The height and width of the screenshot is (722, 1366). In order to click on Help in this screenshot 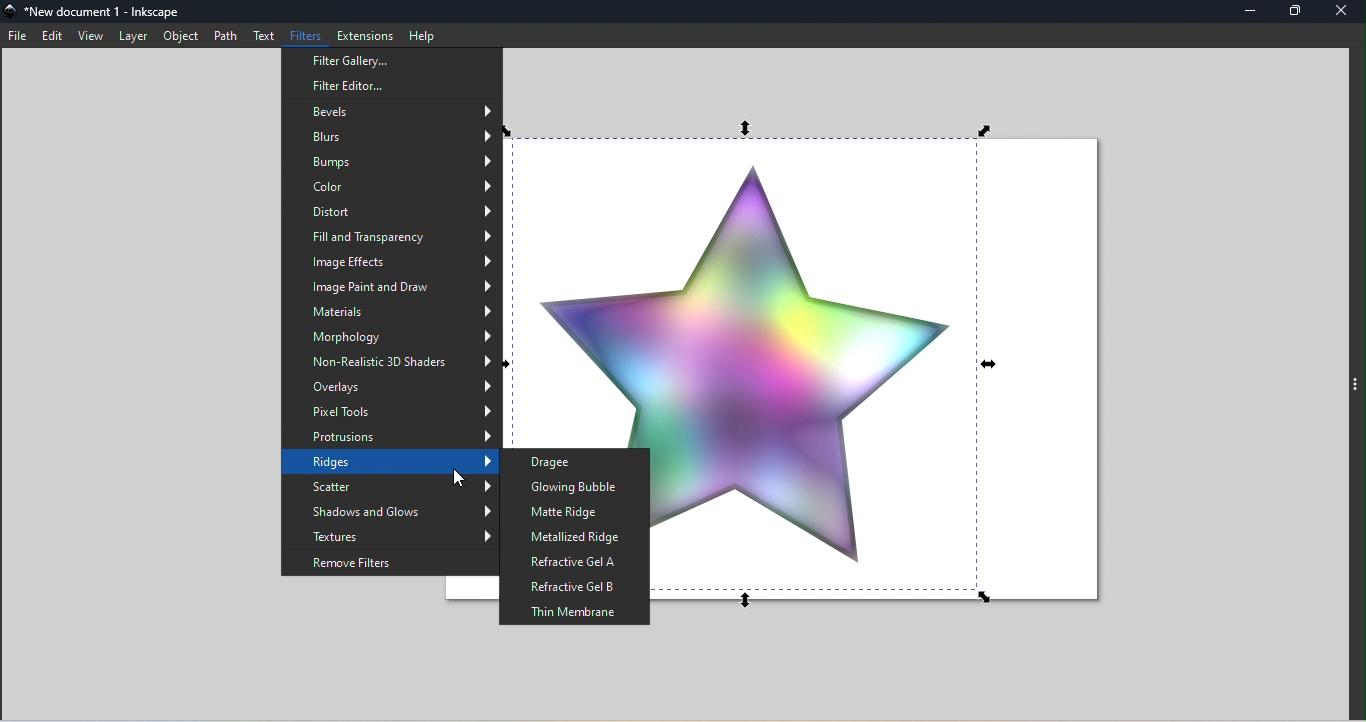, I will do `click(424, 34)`.